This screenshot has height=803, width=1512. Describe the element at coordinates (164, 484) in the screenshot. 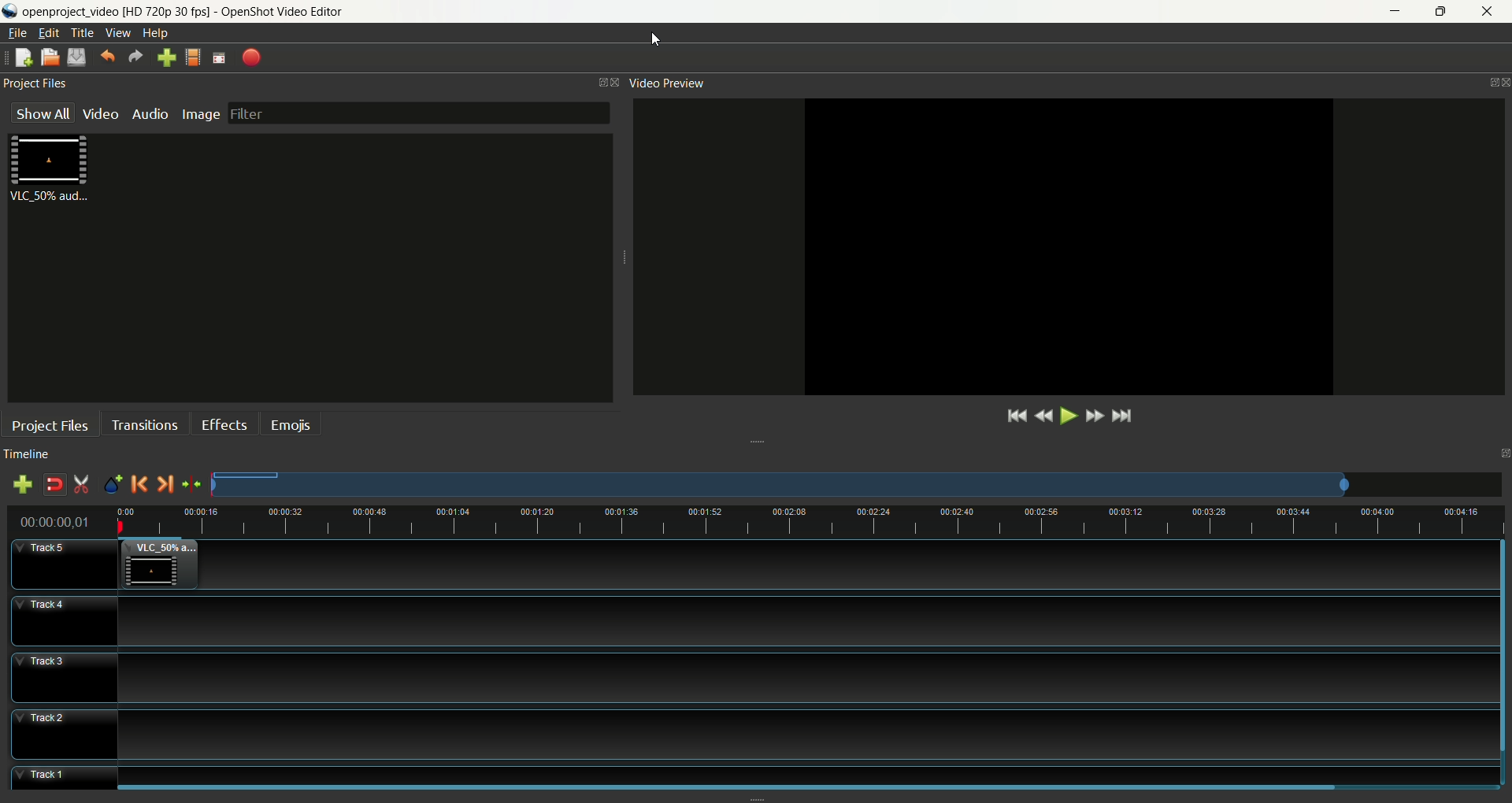

I see `next marker` at that location.